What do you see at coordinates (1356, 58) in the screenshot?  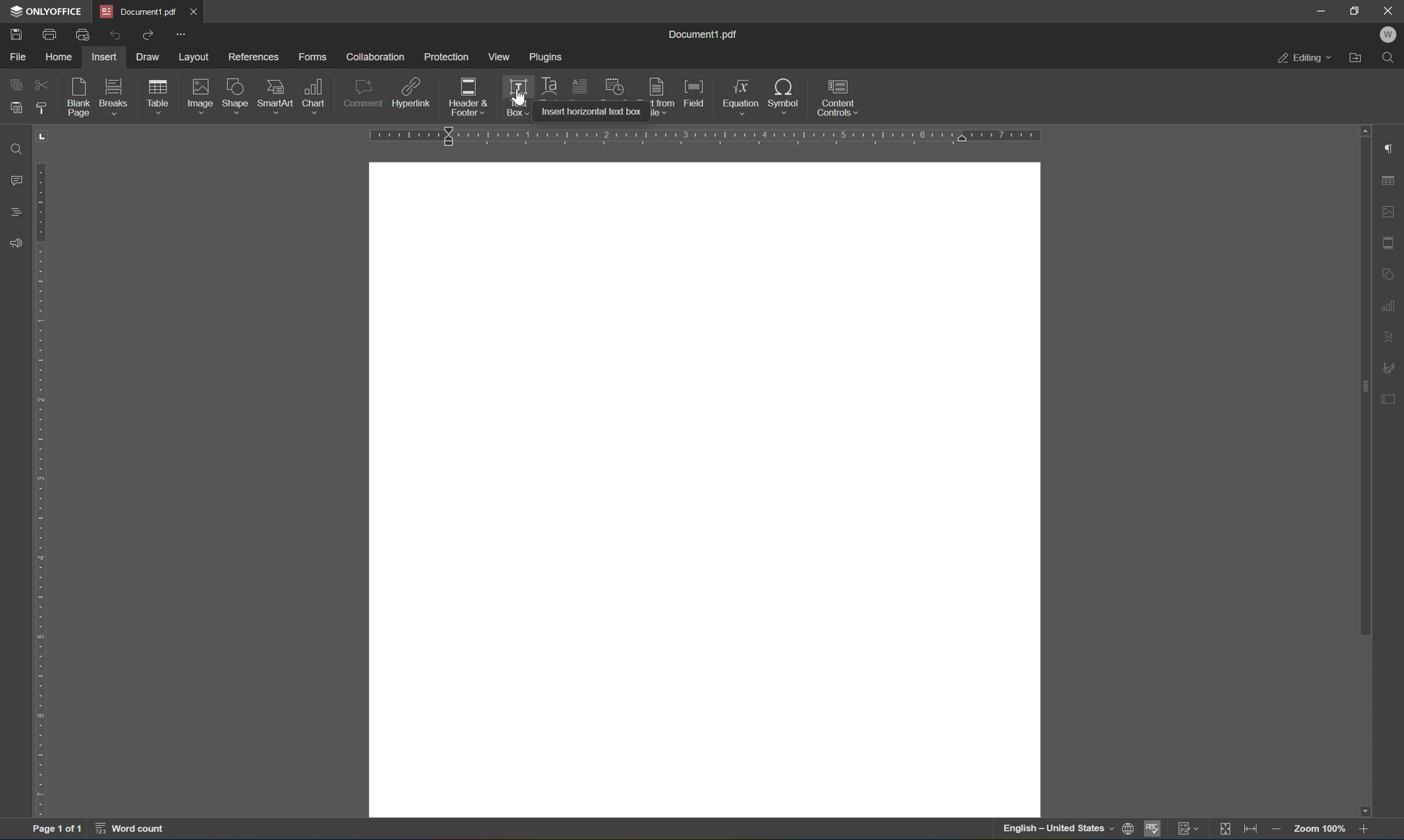 I see `Open file location` at bounding box center [1356, 58].